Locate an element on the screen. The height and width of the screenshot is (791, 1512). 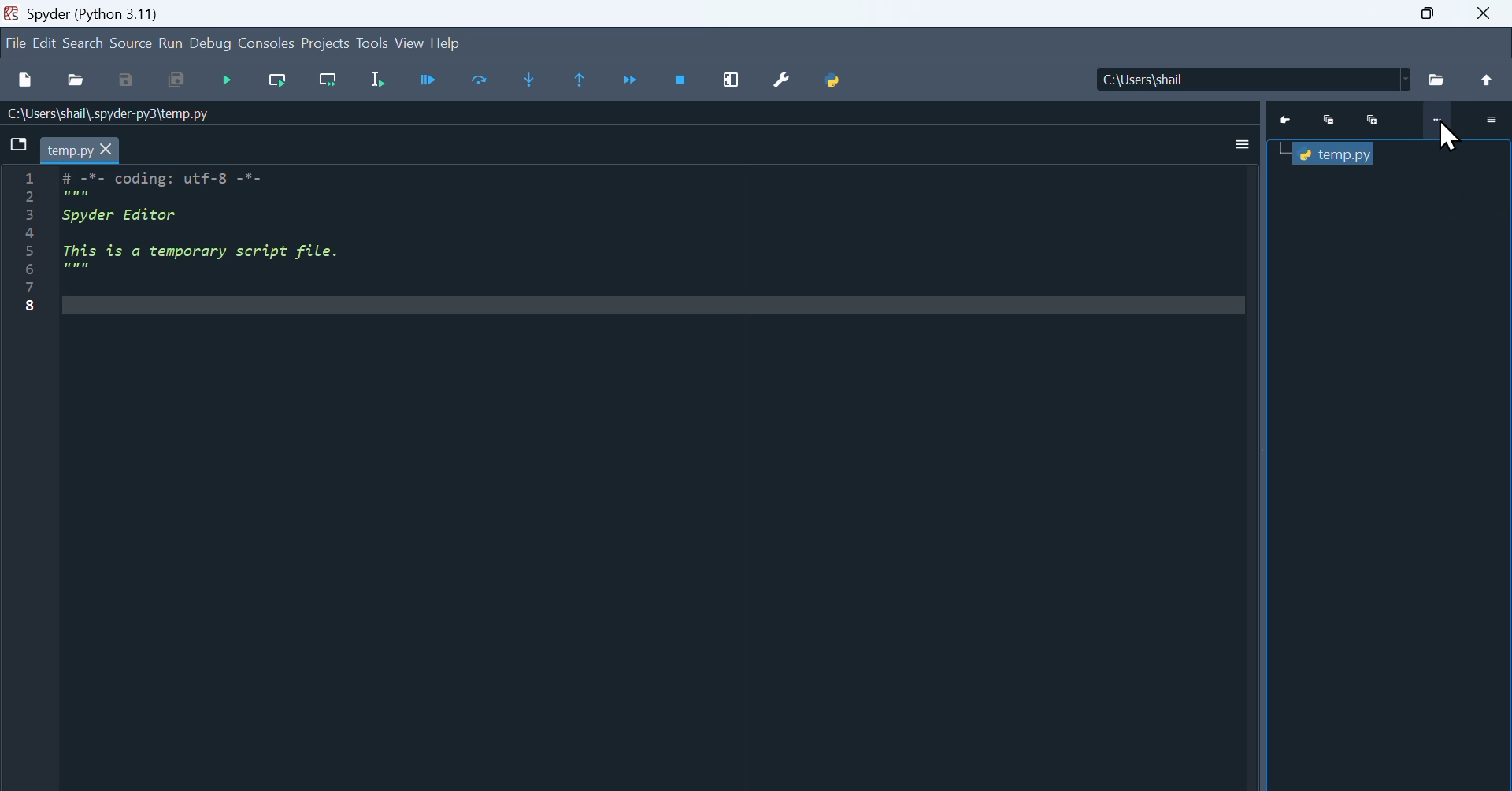
Browse tab is located at coordinates (19, 143).